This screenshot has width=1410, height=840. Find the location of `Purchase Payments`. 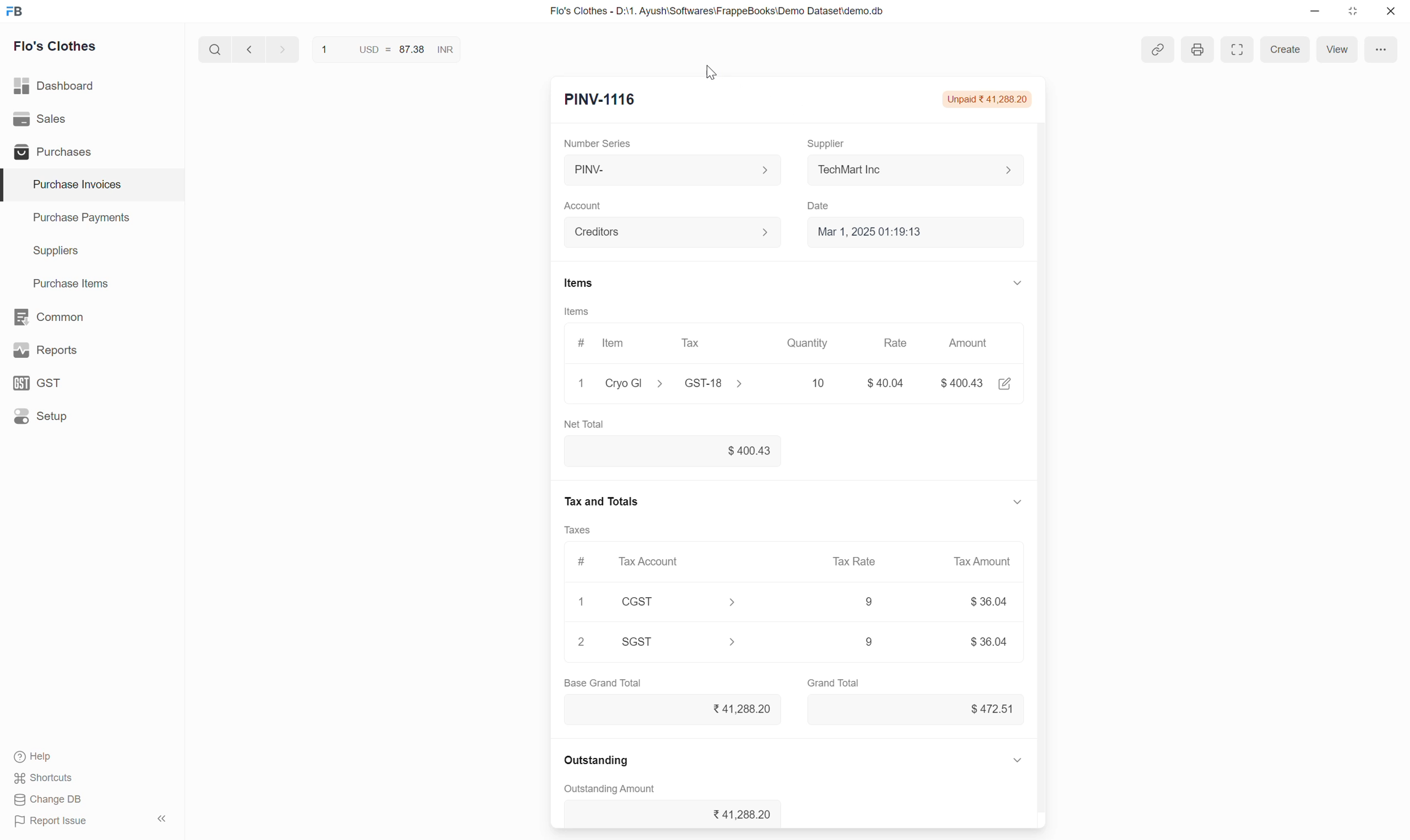

Purchase Payments is located at coordinates (80, 220).